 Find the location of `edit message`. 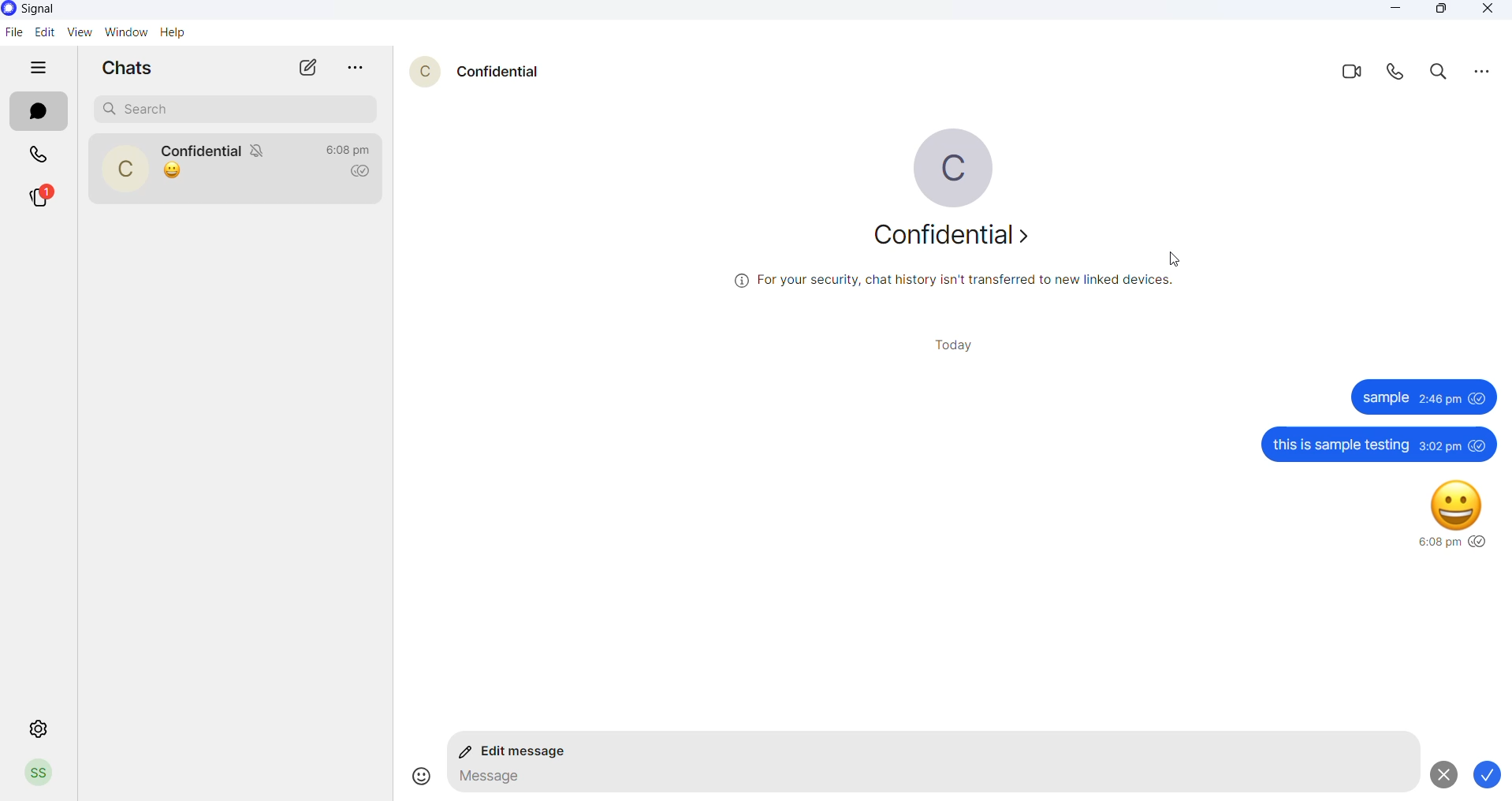

edit message is located at coordinates (519, 753).